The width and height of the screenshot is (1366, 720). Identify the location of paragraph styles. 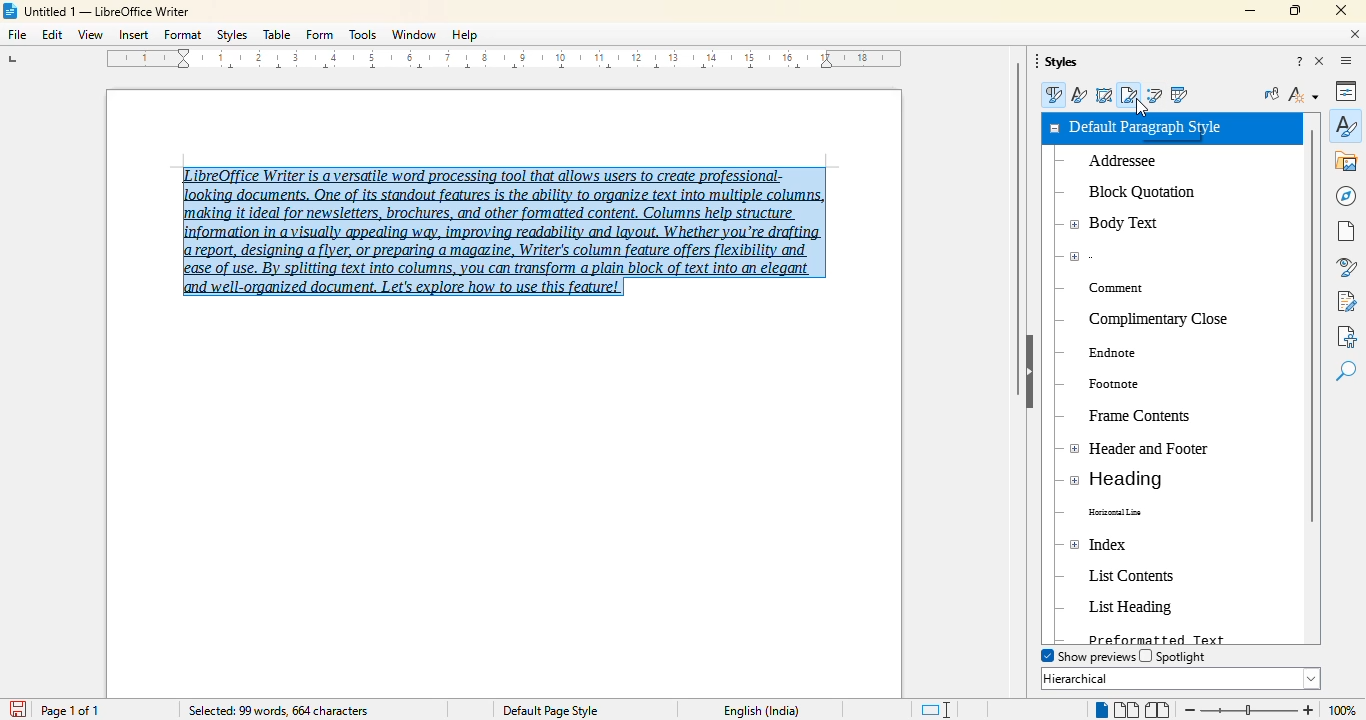
(1052, 95).